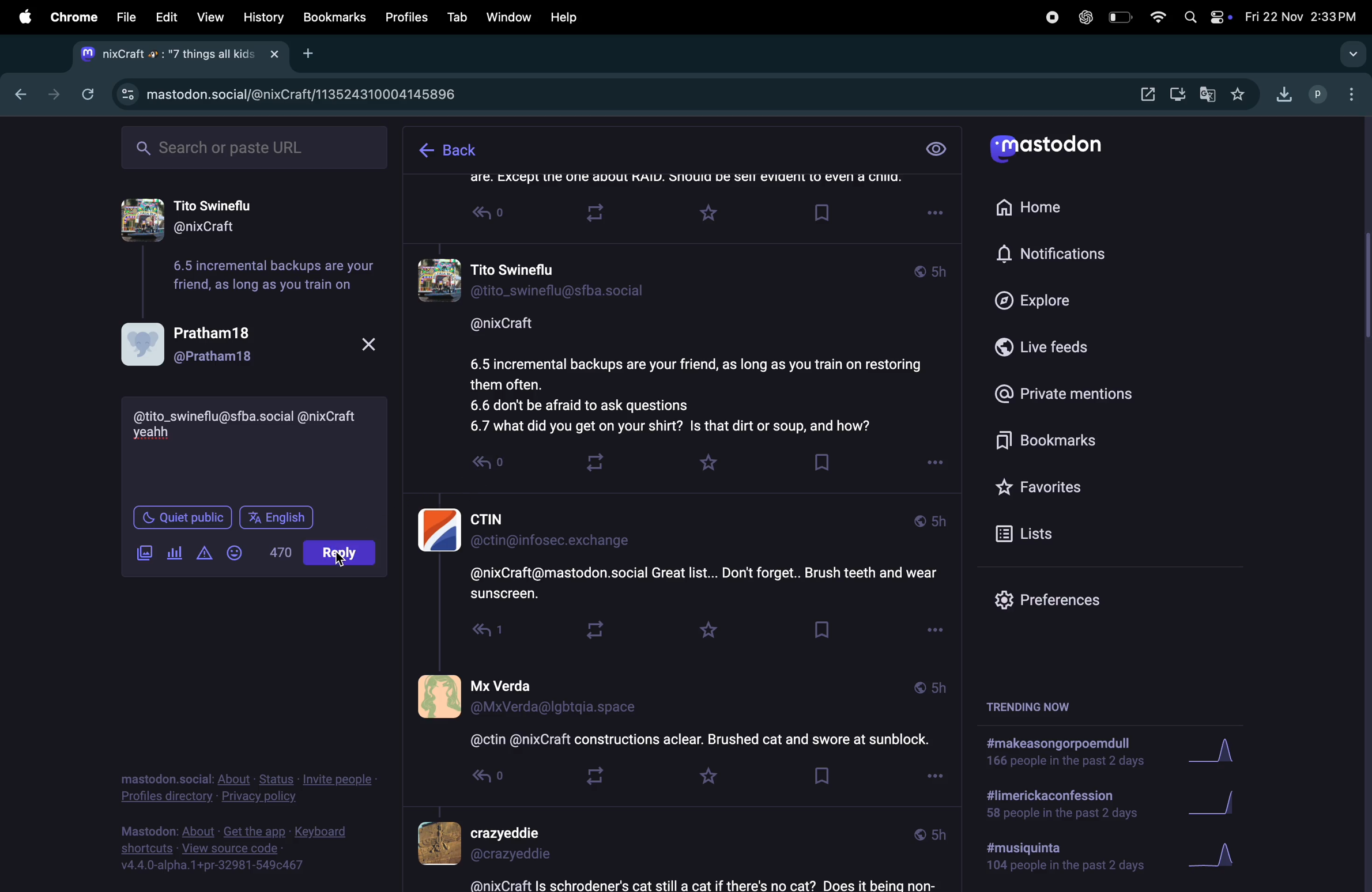 The image size is (1372, 892). I want to click on Read, so click(492, 216).